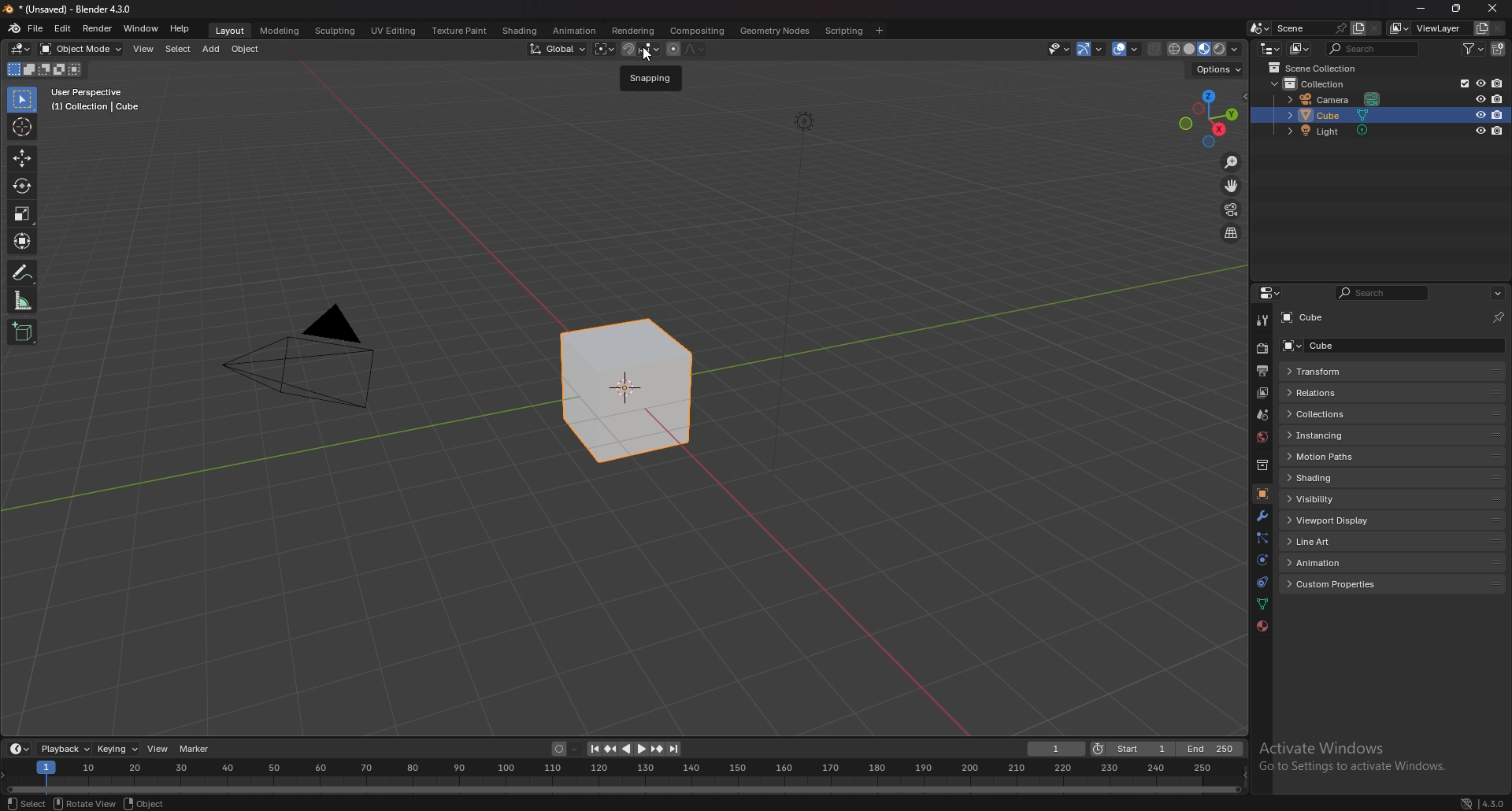 This screenshot has width=1512, height=811. What do you see at coordinates (1499, 315) in the screenshot?
I see `toggle pin id` at bounding box center [1499, 315].